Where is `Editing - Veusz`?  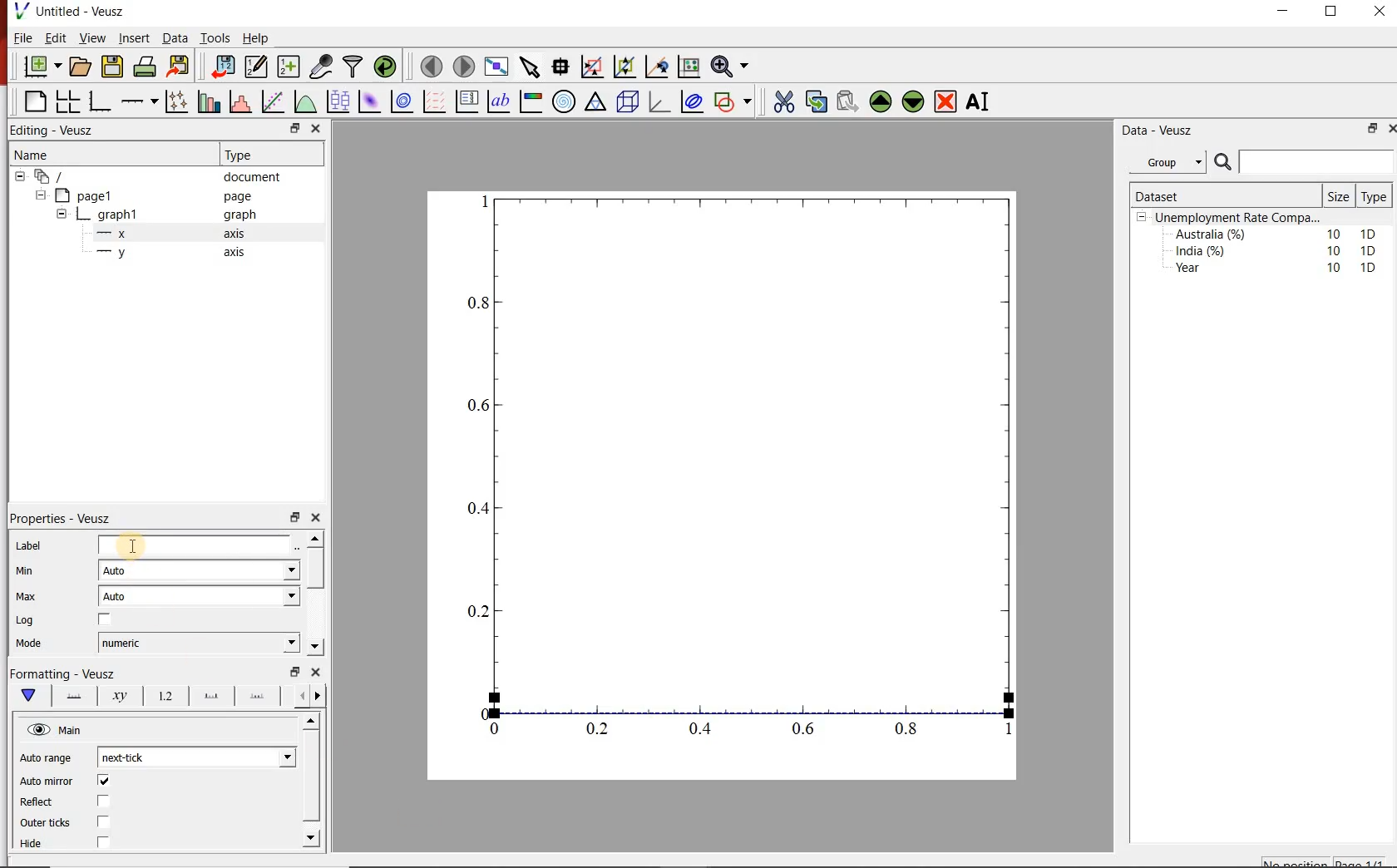 Editing - Veusz is located at coordinates (55, 129).